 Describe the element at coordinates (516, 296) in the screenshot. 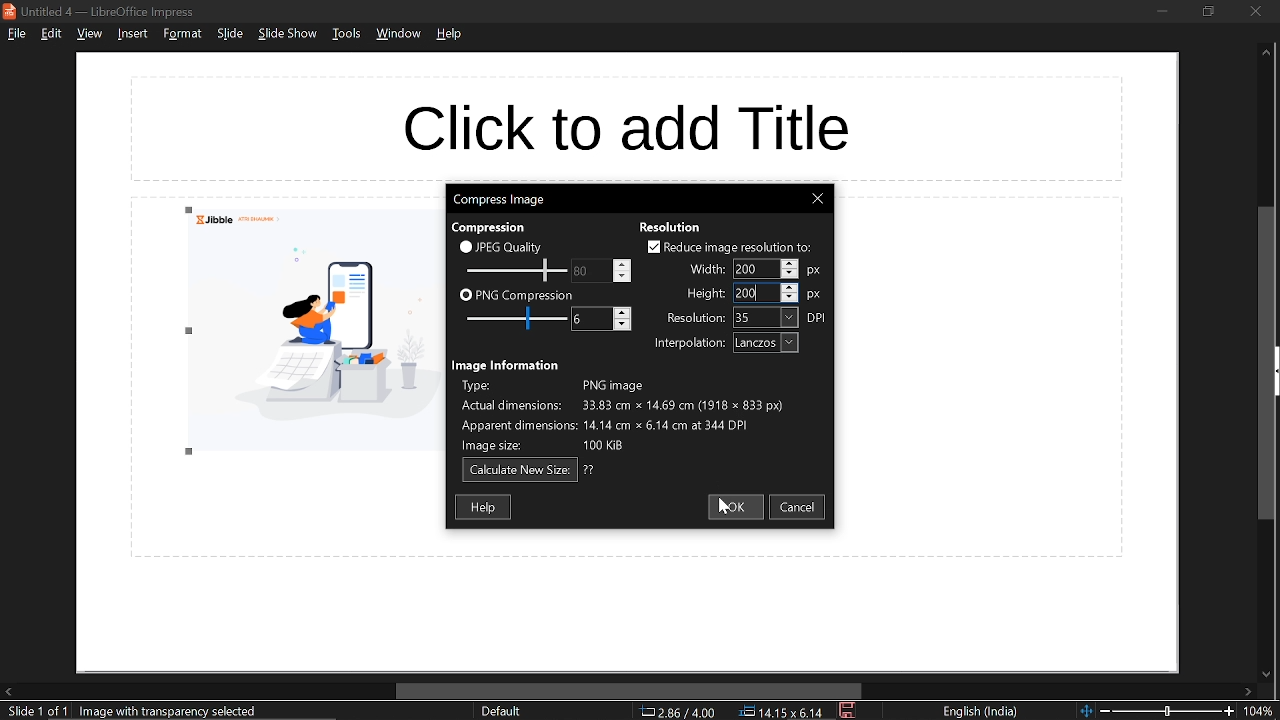

I see `PNG compression` at that location.